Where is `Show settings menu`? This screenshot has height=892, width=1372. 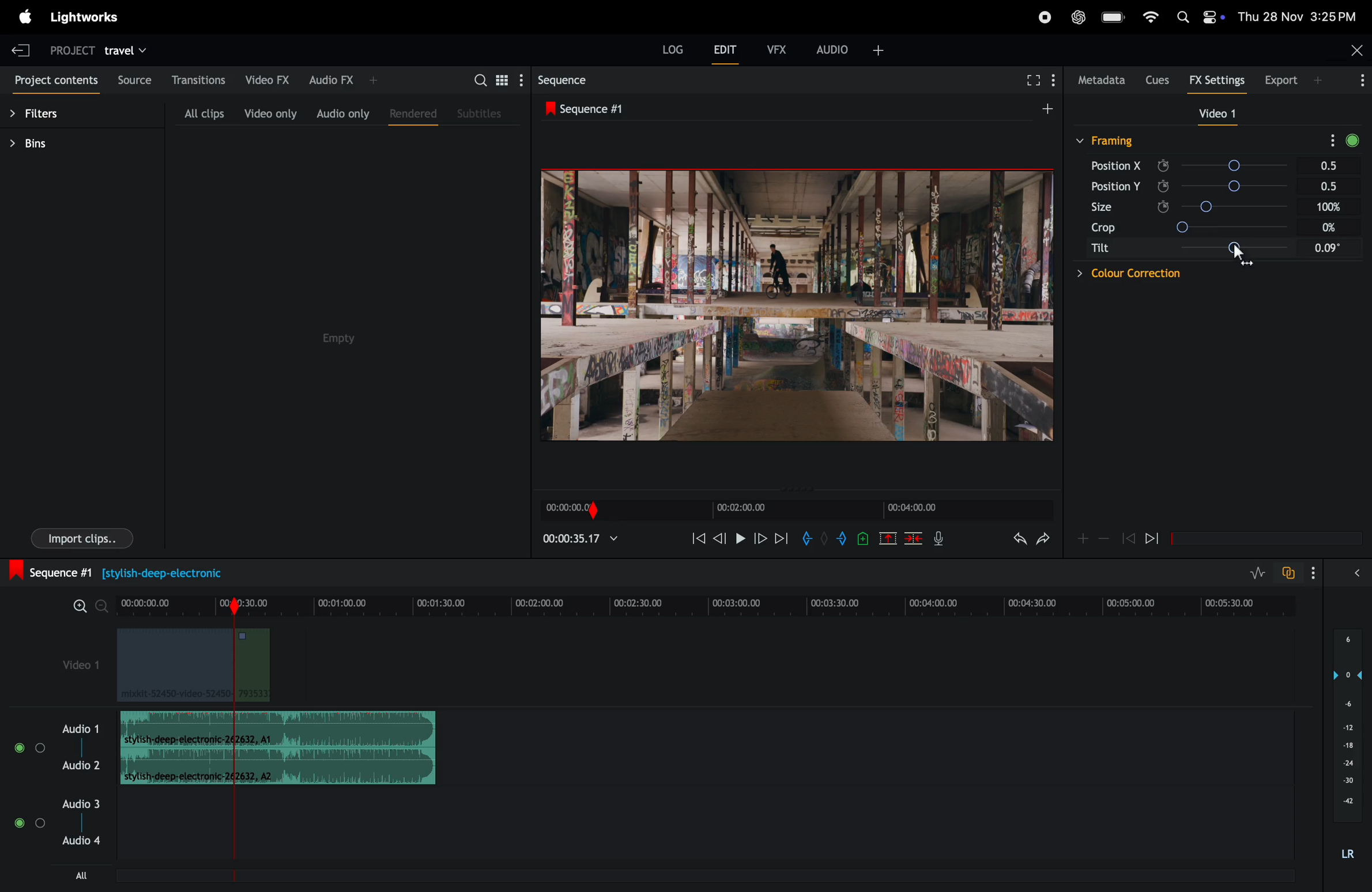
Show settings menu is located at coordinates (1360, 82).